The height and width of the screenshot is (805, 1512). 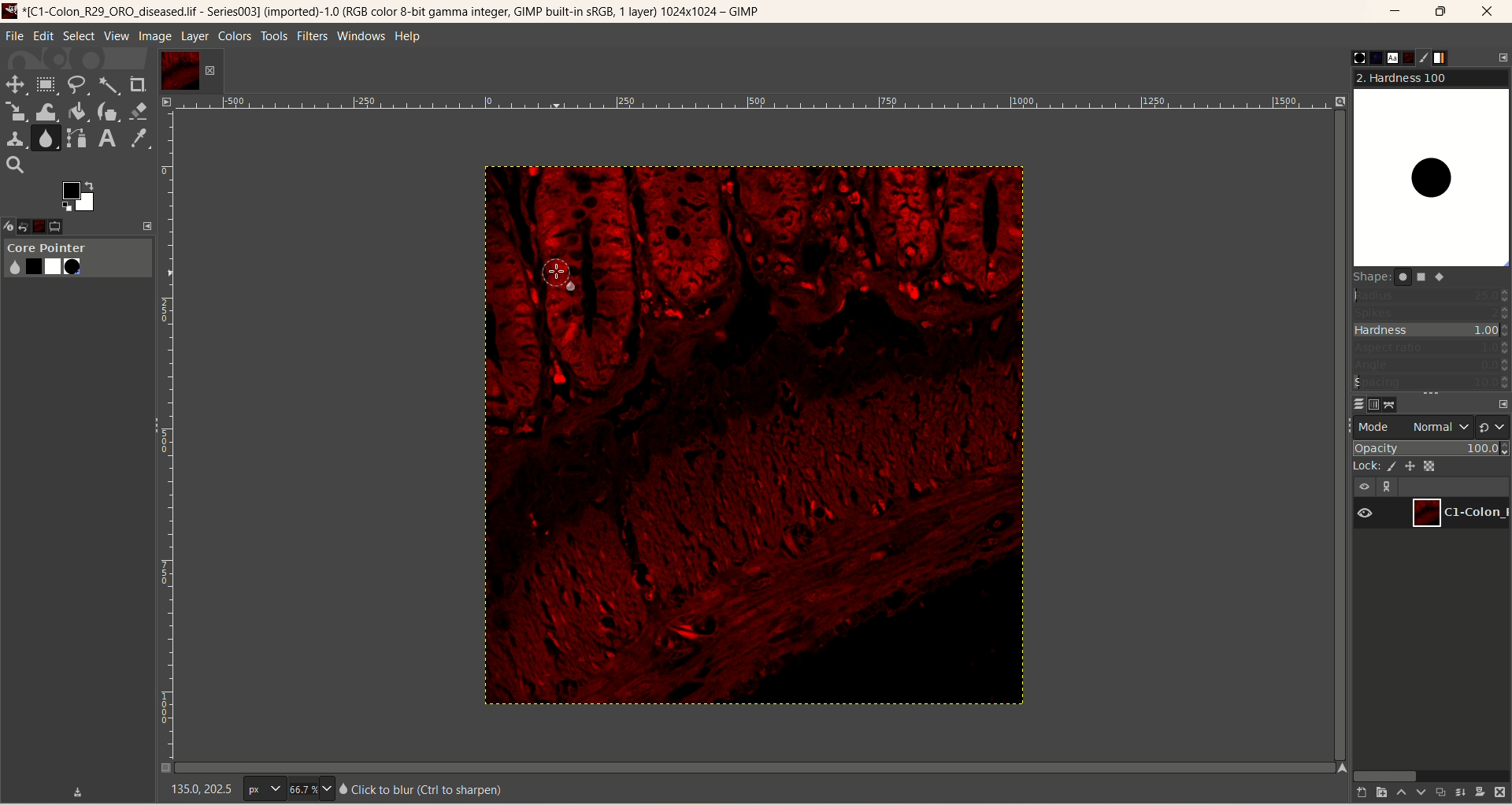 I want to click on hardness, so click(x=1432, y=332).